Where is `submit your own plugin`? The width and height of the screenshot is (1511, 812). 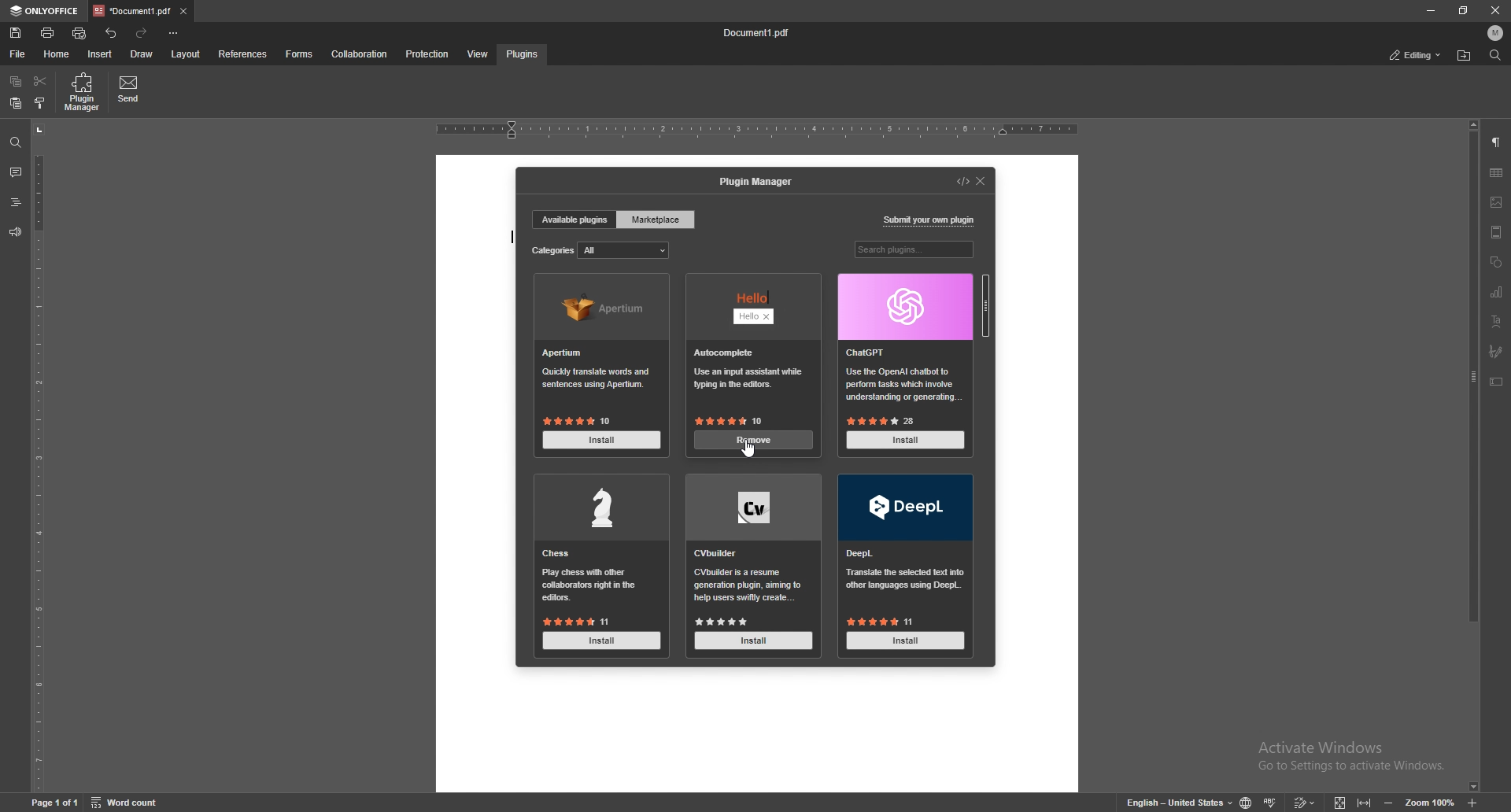
submit your own plugin is located at coordinates (929, 220).